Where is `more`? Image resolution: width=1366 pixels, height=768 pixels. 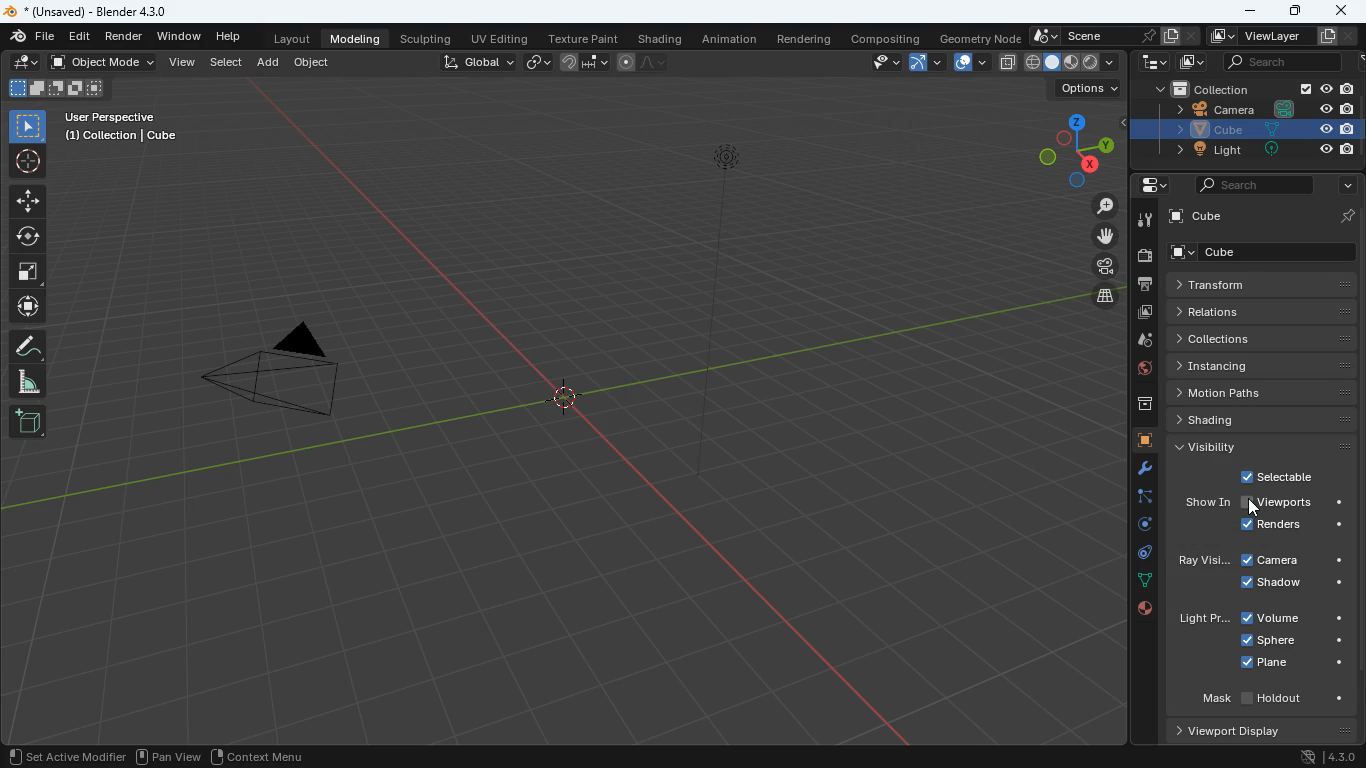 more is located at coordinates (1343, 187).